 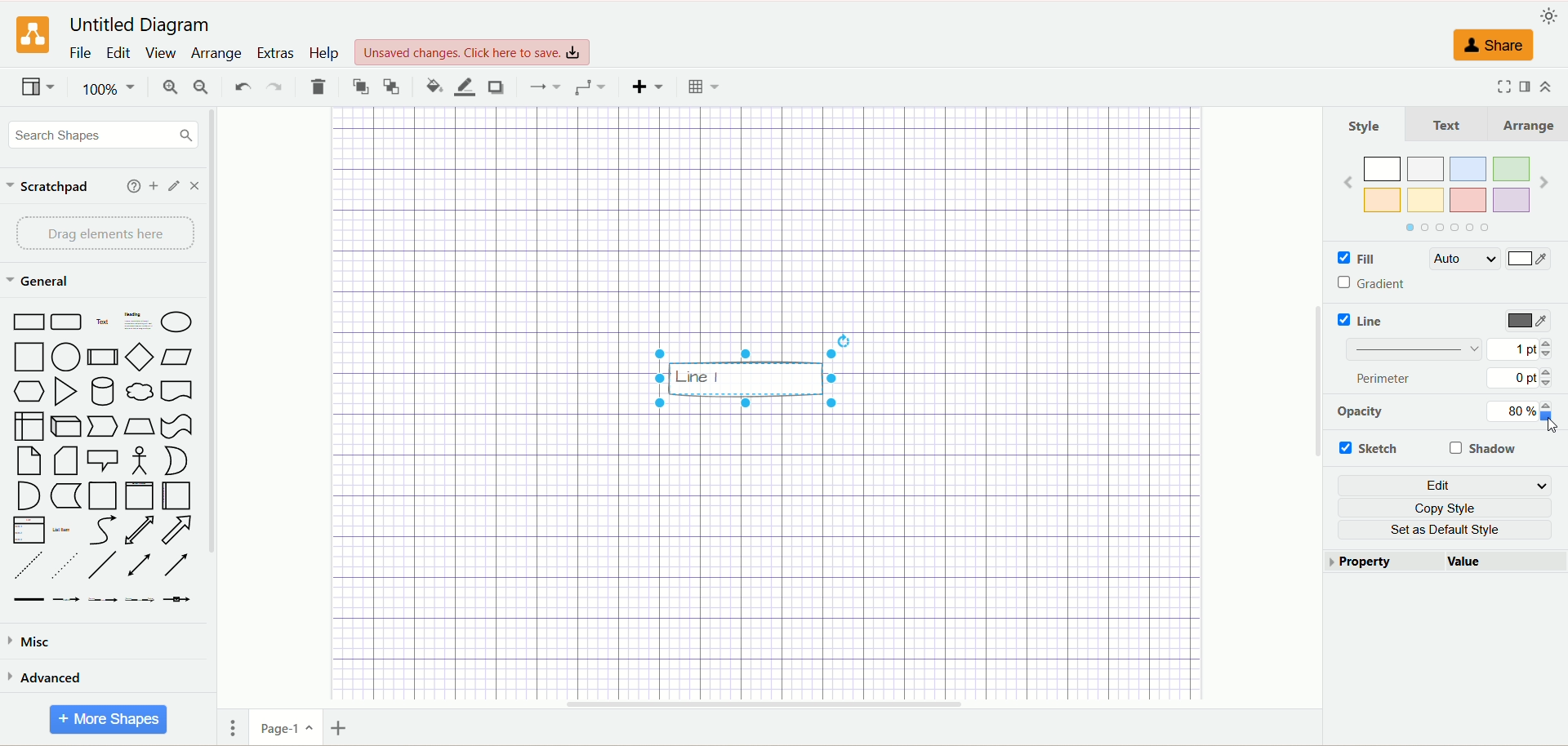 What do you see at coordinates (1520, 380) in the screenshot?
I see `0 pt` at bounding box center [1520, 380].